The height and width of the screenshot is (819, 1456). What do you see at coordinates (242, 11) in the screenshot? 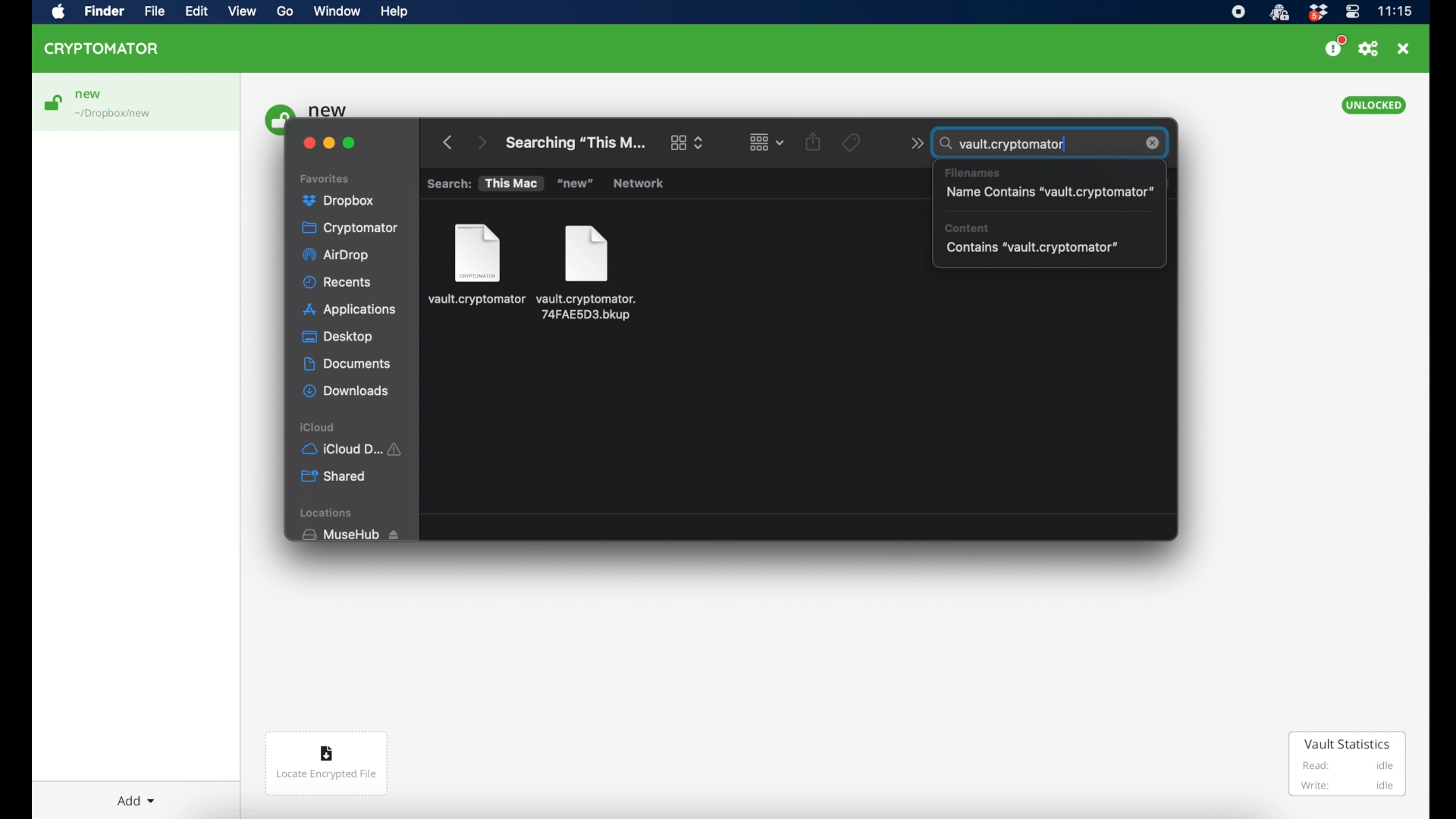
I see `view` at bounding box center [242, 11].